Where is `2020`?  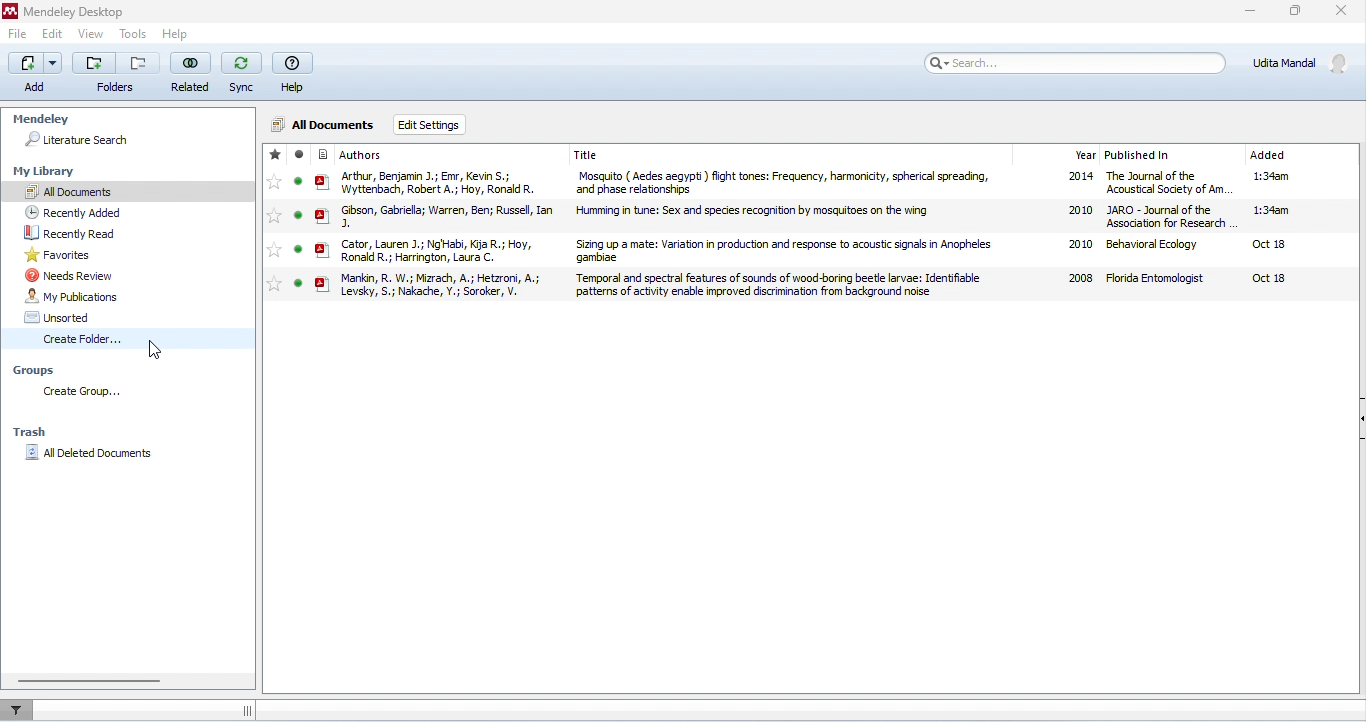
2020 is located at coordinates (1083, 244).